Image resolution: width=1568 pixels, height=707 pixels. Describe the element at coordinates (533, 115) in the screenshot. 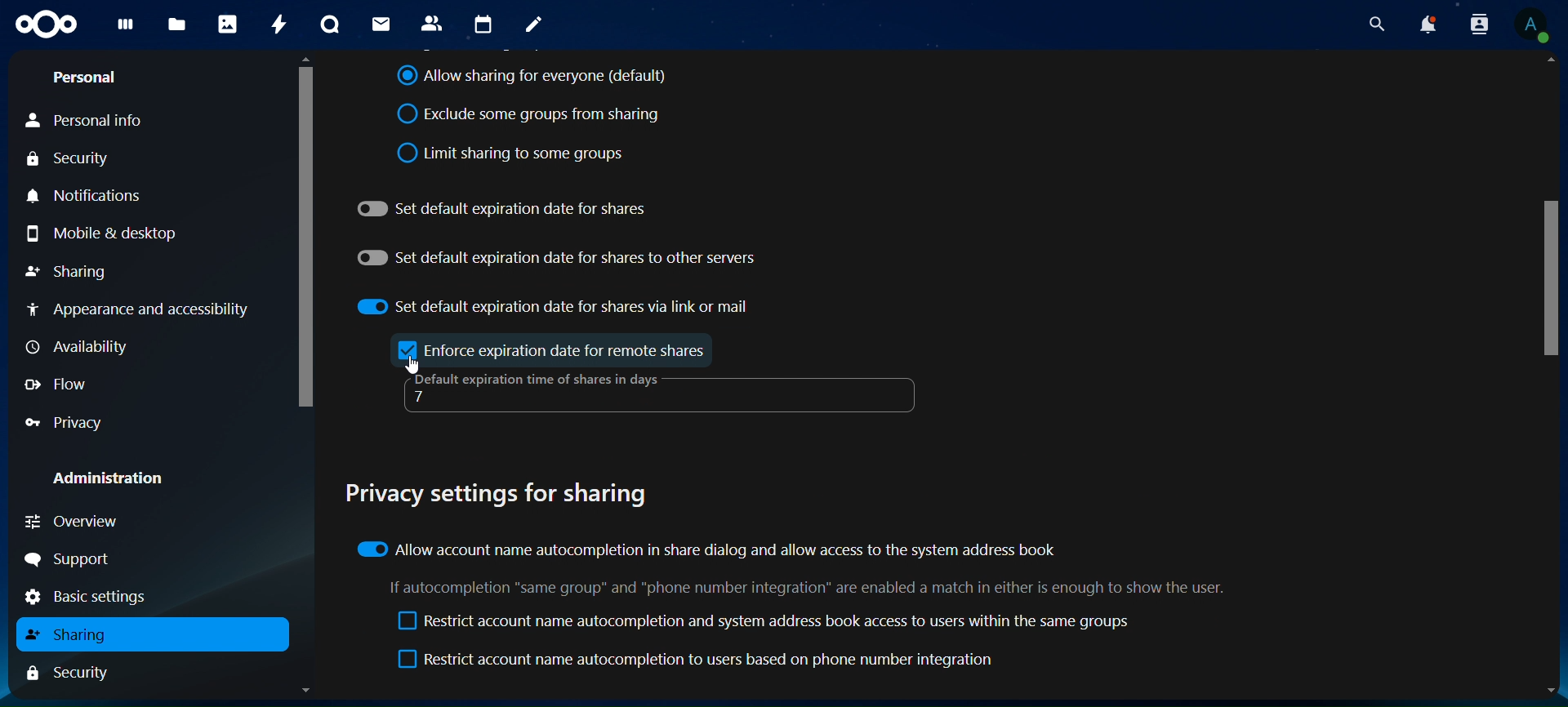

I see `exclude somegroups from sharing` at that location.